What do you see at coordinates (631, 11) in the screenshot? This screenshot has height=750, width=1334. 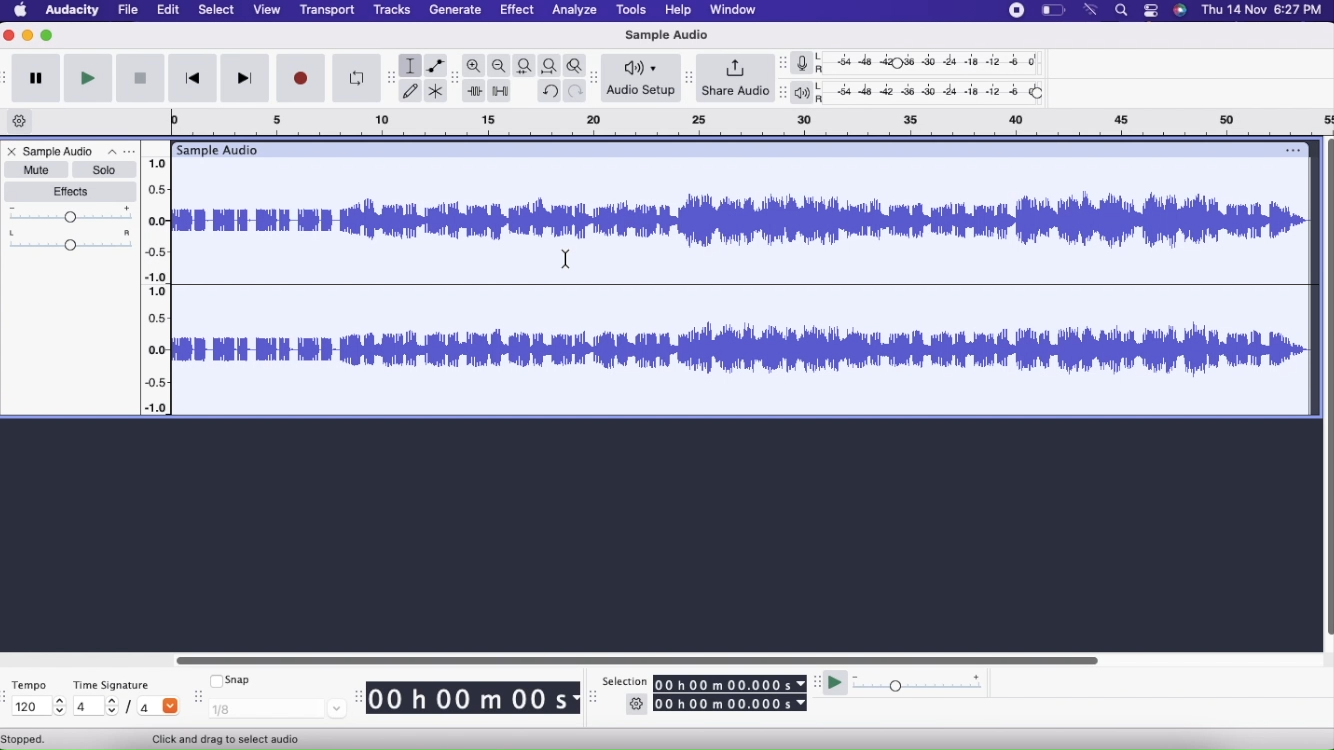 I see `Tools` at bounding box center [631, 11].